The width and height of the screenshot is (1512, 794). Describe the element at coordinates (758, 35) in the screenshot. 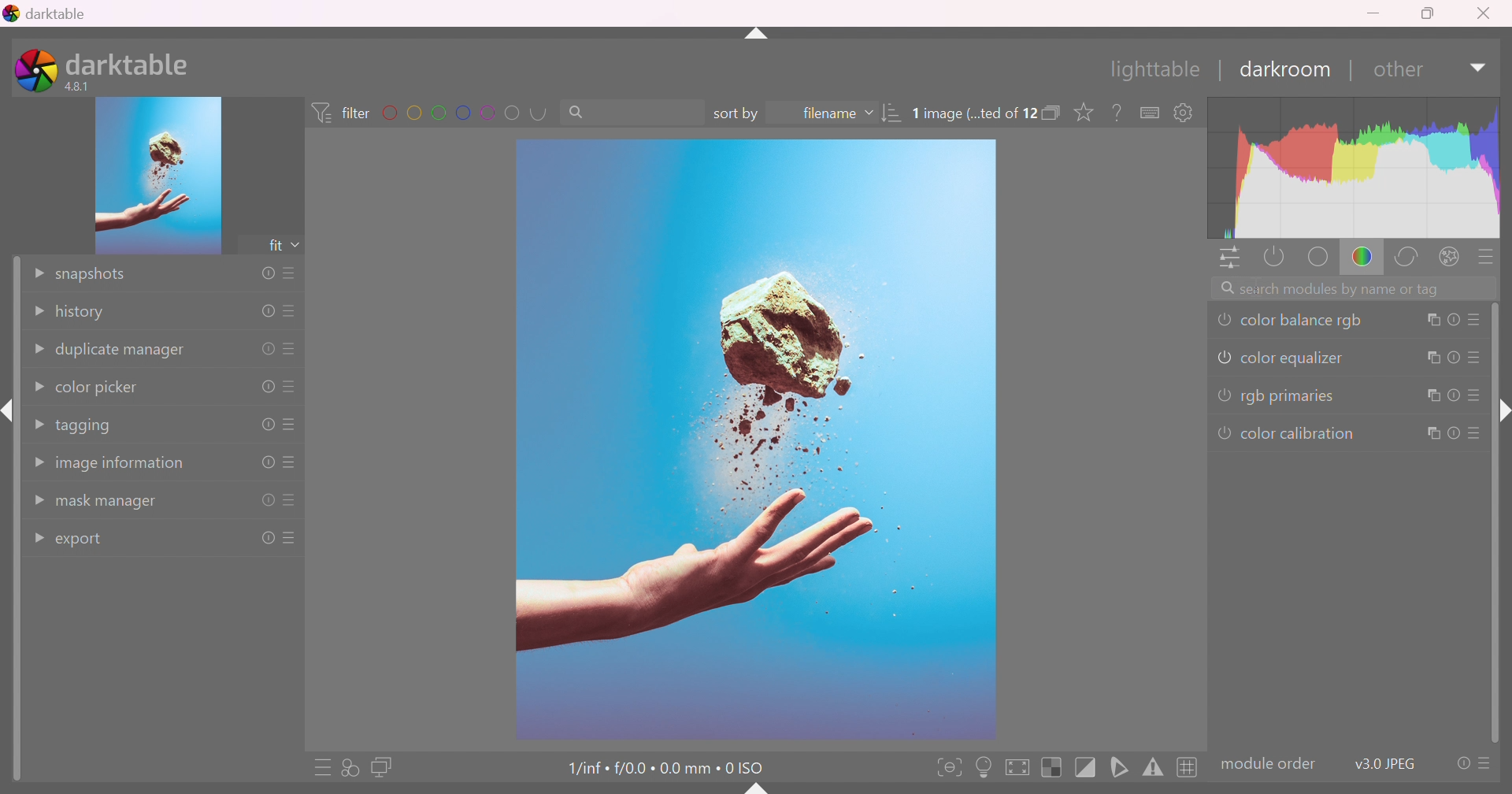

I see `shift+ctrl+t` at that location.